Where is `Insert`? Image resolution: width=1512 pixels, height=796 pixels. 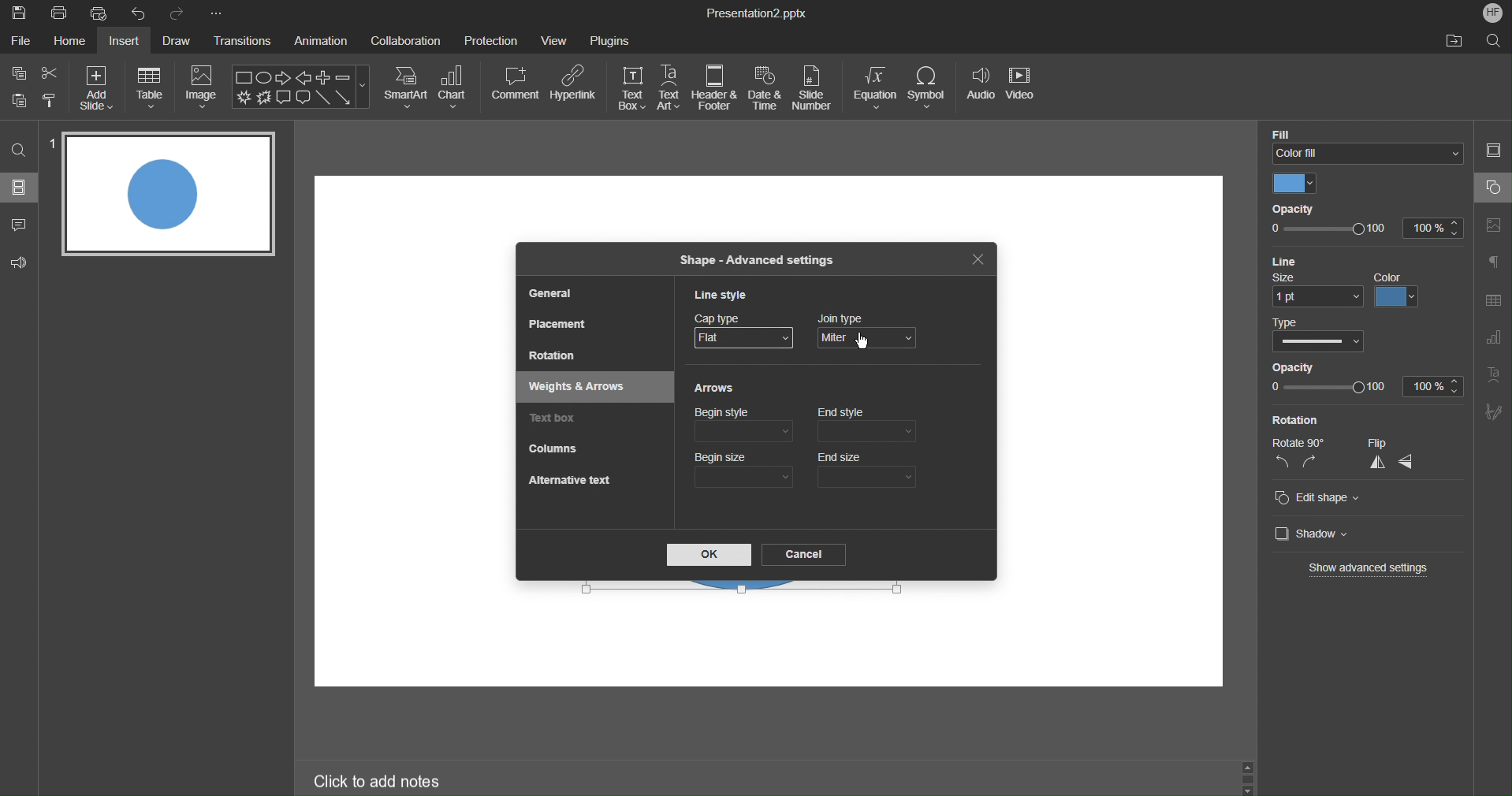
Insert is located at coordinates (128, 42).